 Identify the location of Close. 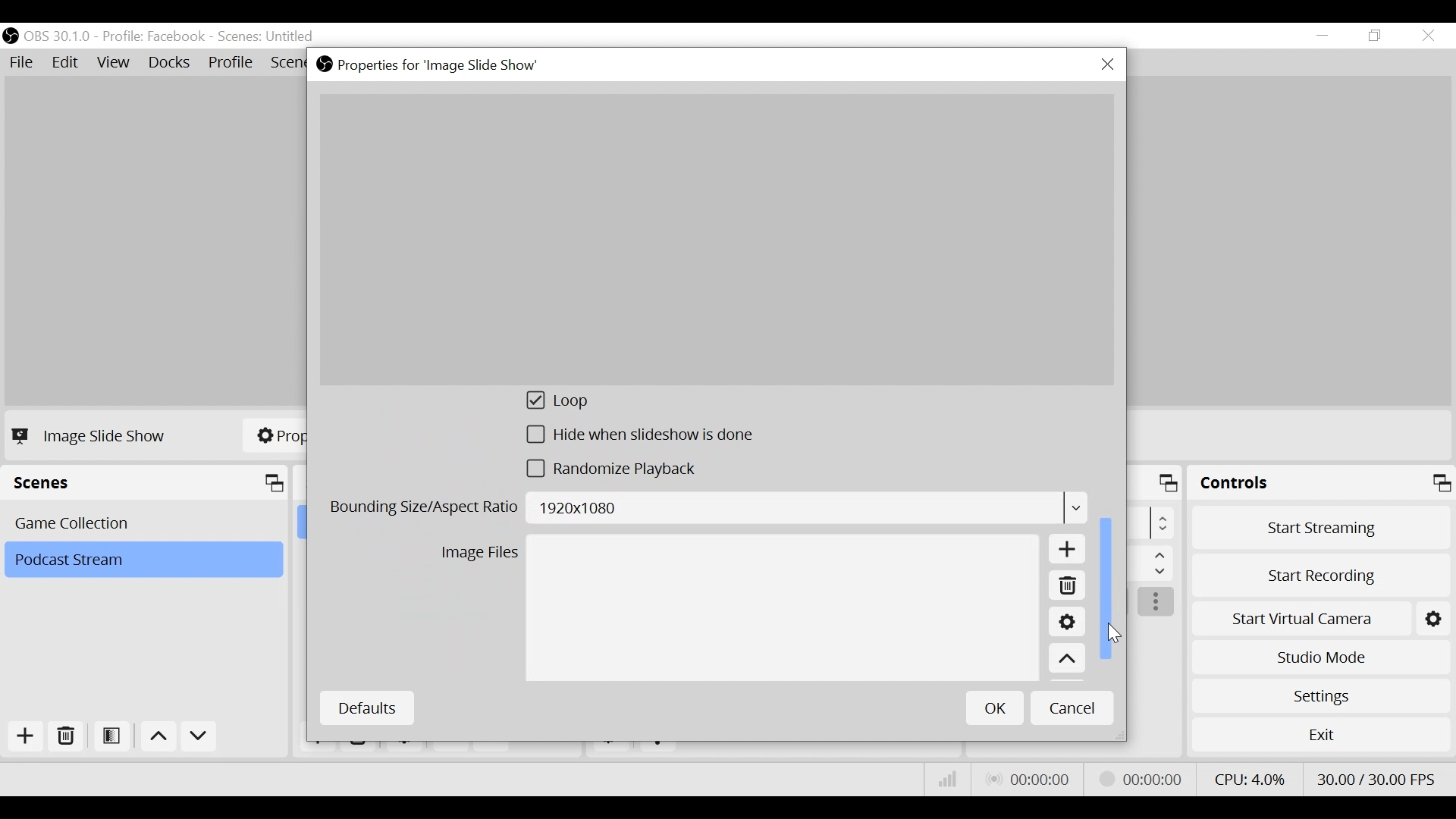
(1107, 65).